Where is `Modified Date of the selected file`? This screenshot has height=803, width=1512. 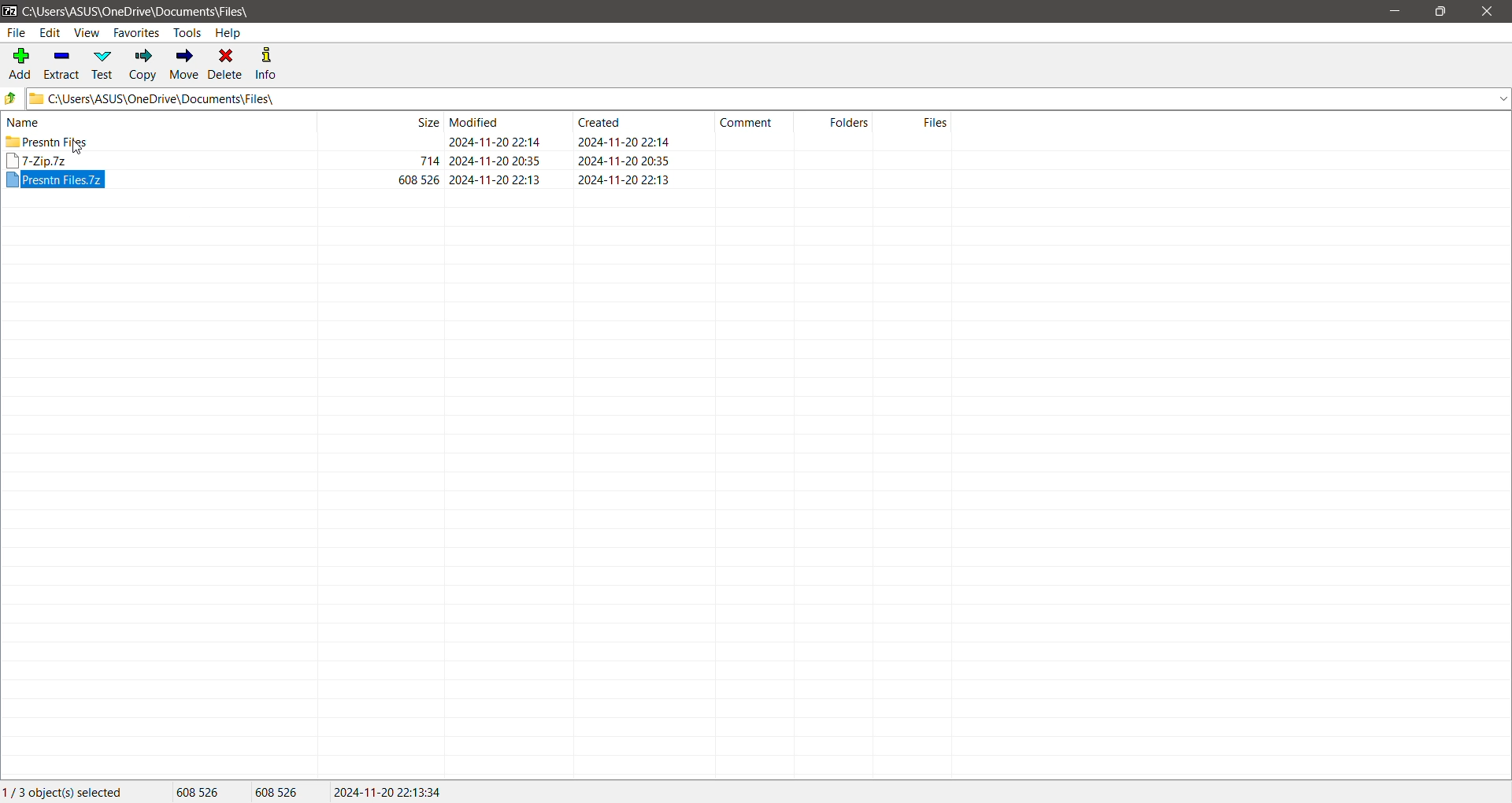
Modified Date of the selected file is located at coordinates (389, 792).